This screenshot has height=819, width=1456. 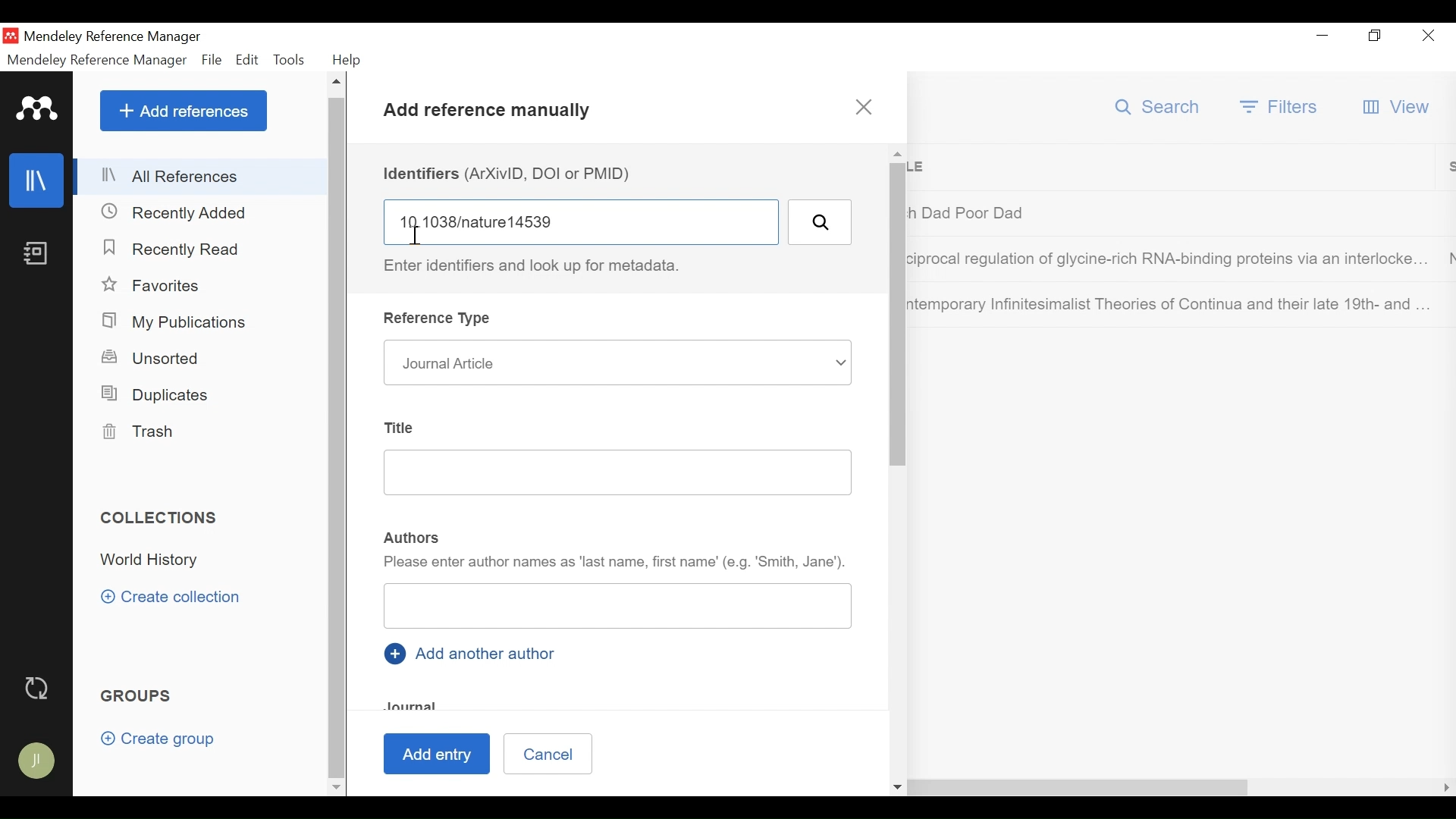 I want to click on Cancel, so click(x=548, y=752).